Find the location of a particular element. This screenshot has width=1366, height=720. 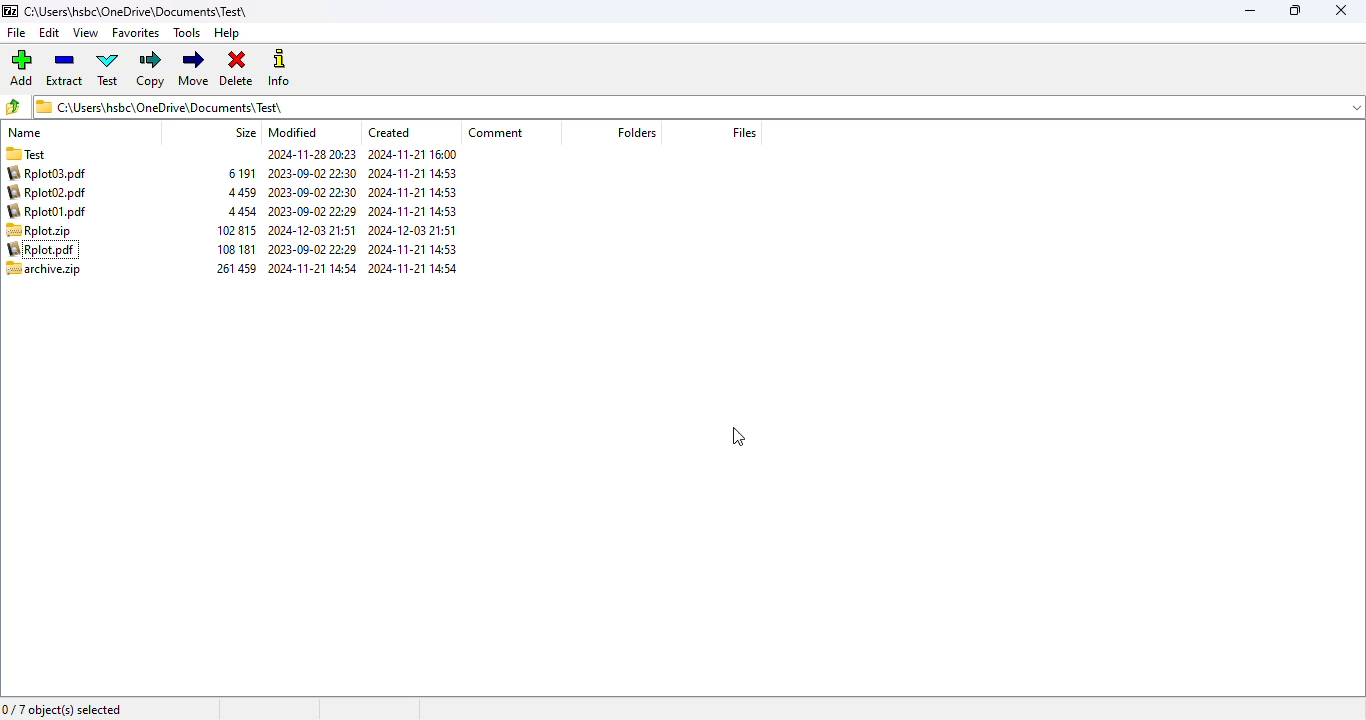

created date and time is located at coordinates (413, 260).